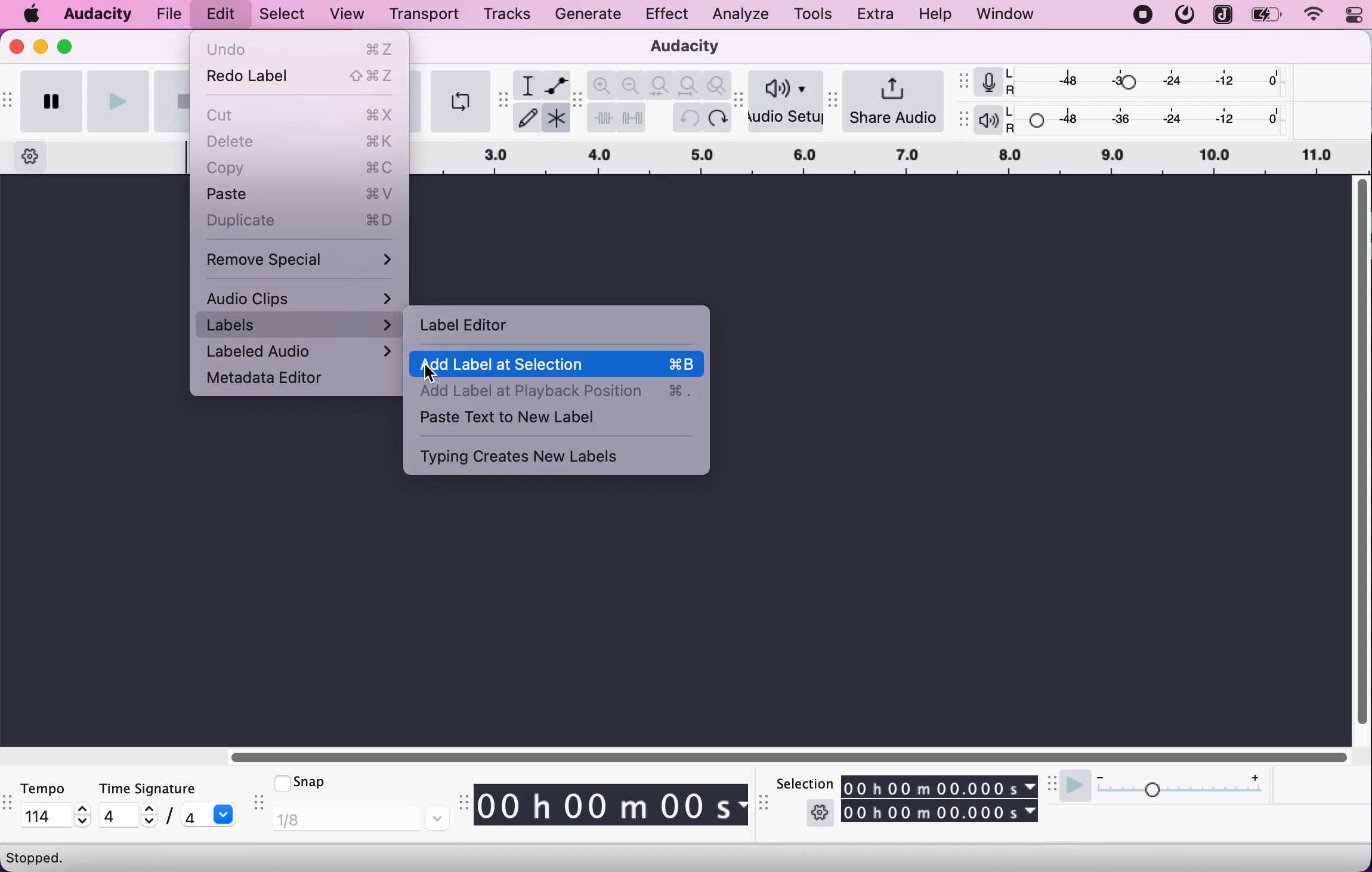  What do you see at coordinates (1076, 787) in the screenshot?
I see `play at speed` at bounding box center [1076, 787].